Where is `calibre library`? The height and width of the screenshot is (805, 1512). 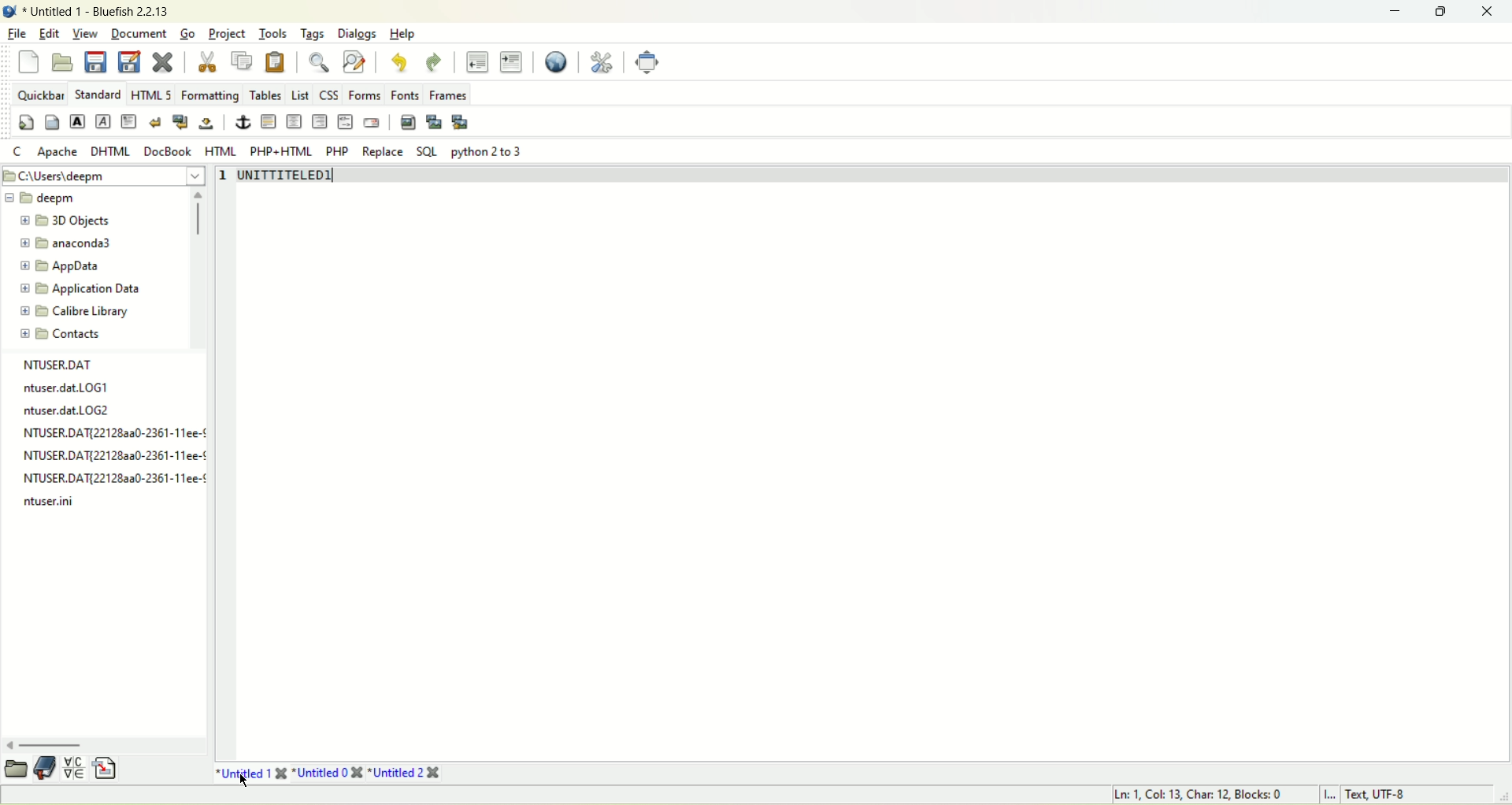 calibre library is located at coordinates (76, 310).